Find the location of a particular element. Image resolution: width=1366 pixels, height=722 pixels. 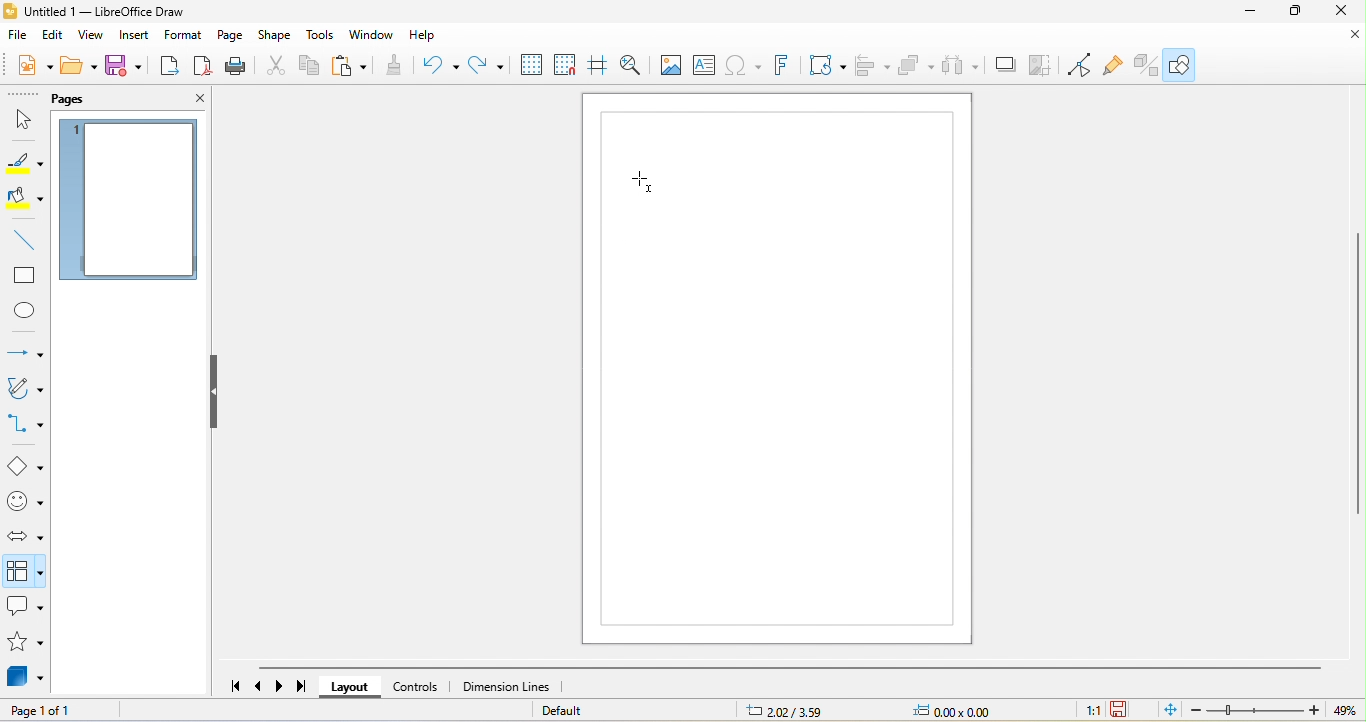

scroll to last page is located at coordinates (301, 687).